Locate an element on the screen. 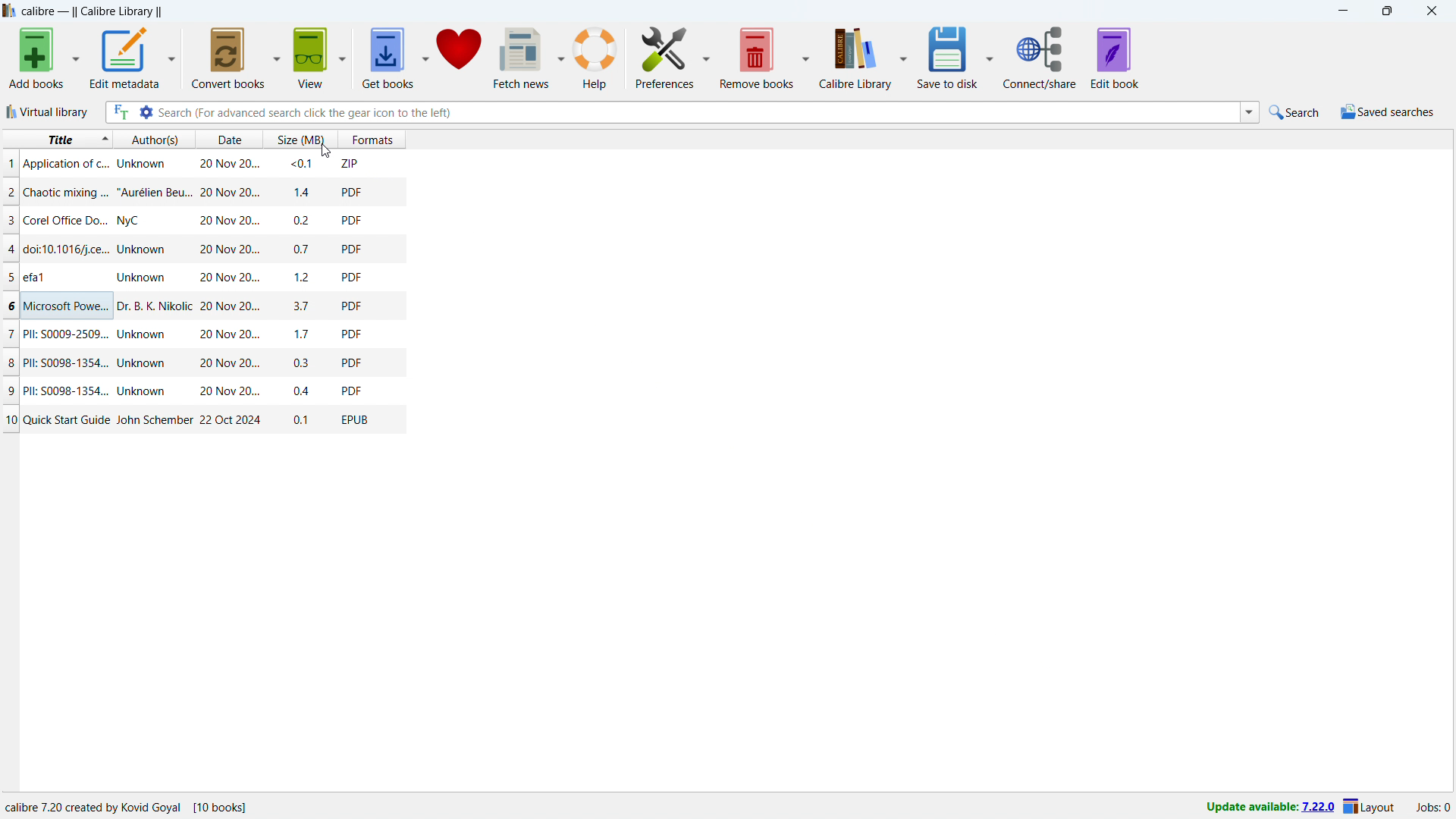  author is located at coordinates (155, 192).